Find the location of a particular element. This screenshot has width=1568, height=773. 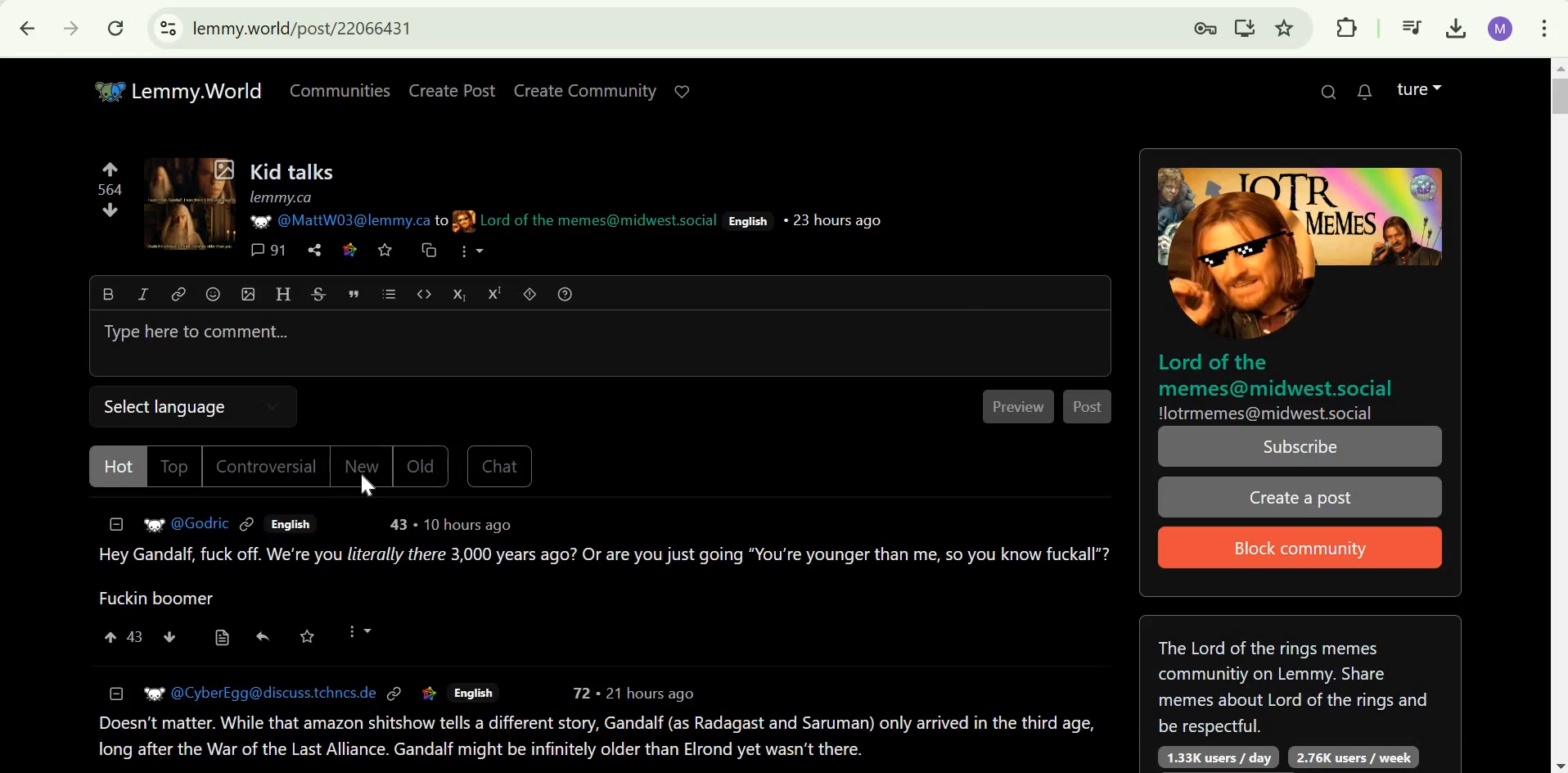

Create Community is located at coordinates (588, 91).